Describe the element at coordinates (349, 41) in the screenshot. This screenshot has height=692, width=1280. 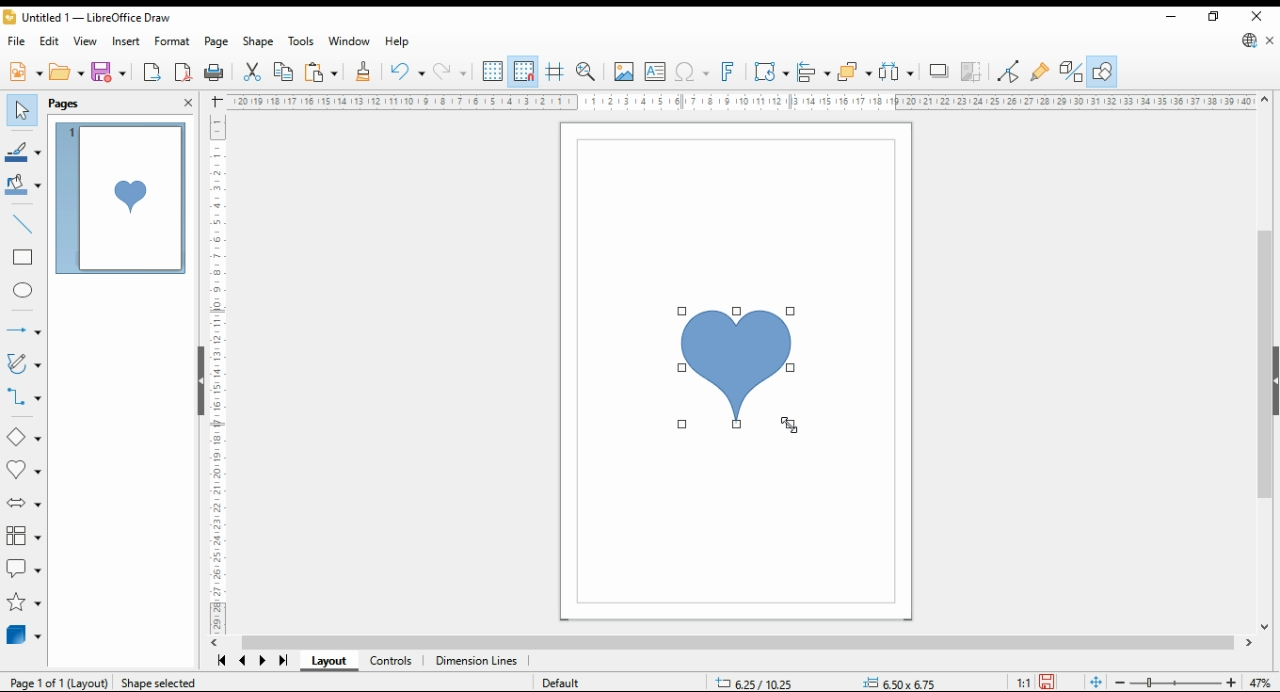
I see `window` at that location.